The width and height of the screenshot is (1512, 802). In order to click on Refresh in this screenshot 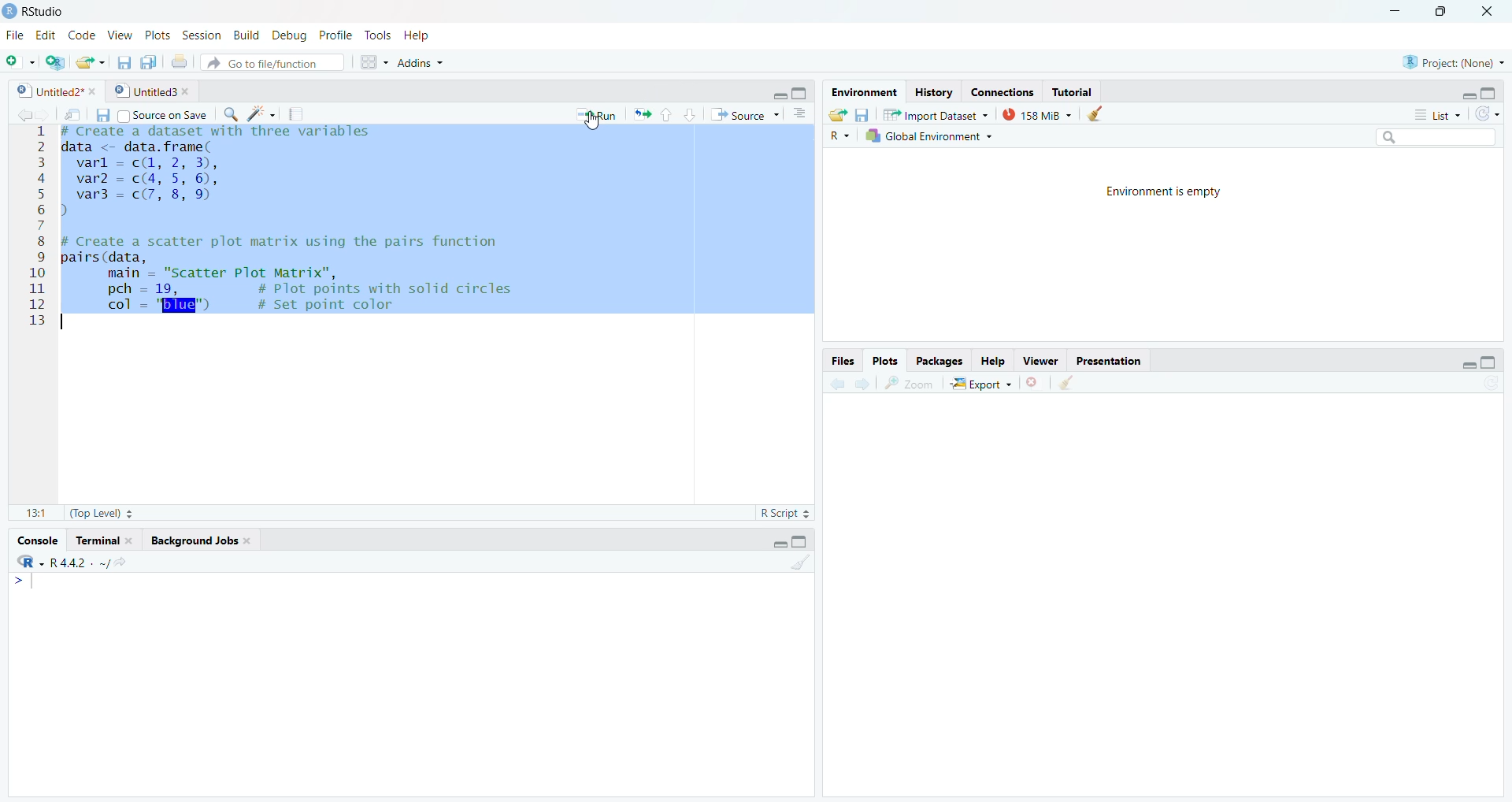, I will do `click(1492, 113)`.